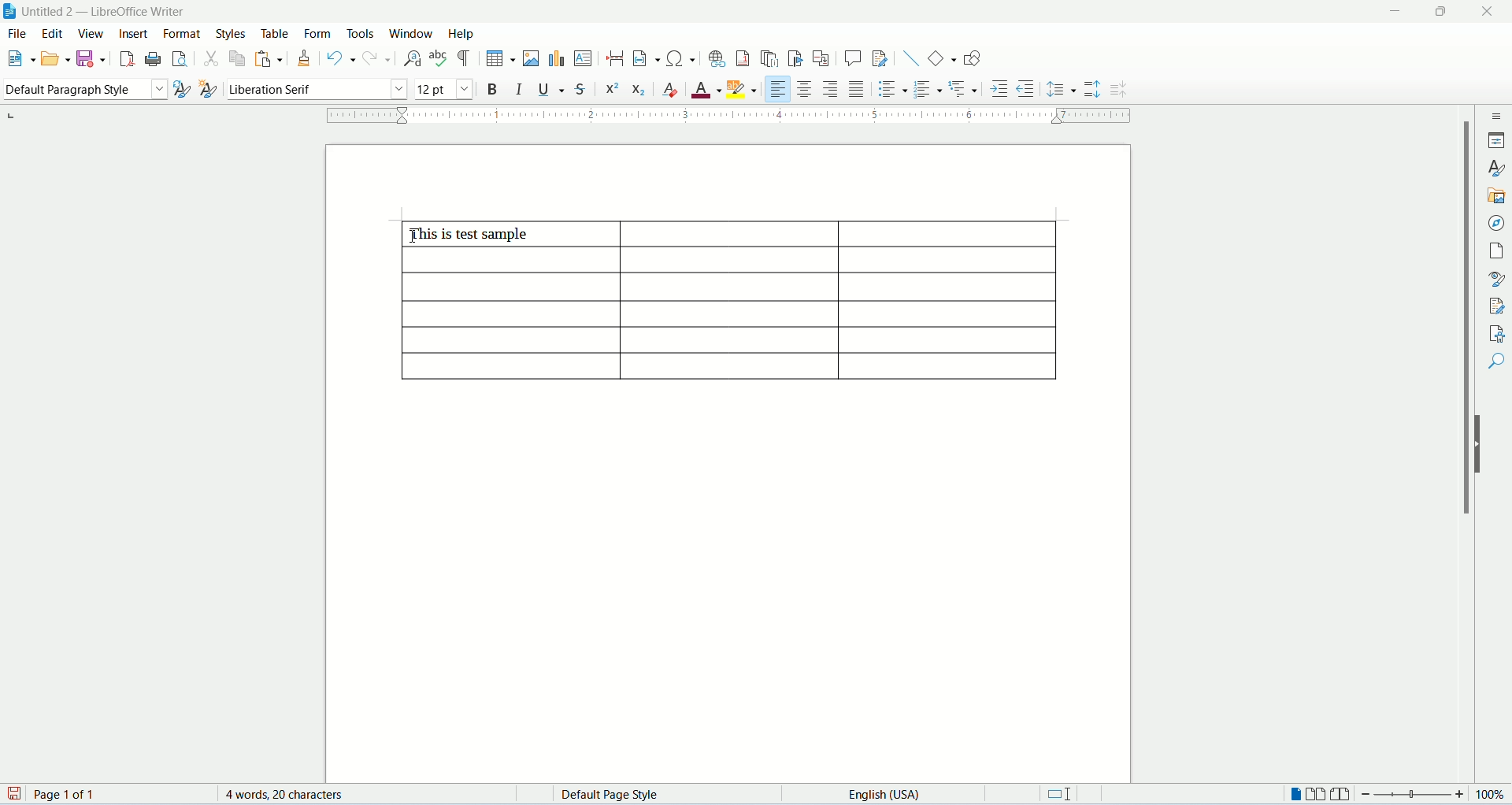  I want to click on zoom percemt, so click(1492, 794).